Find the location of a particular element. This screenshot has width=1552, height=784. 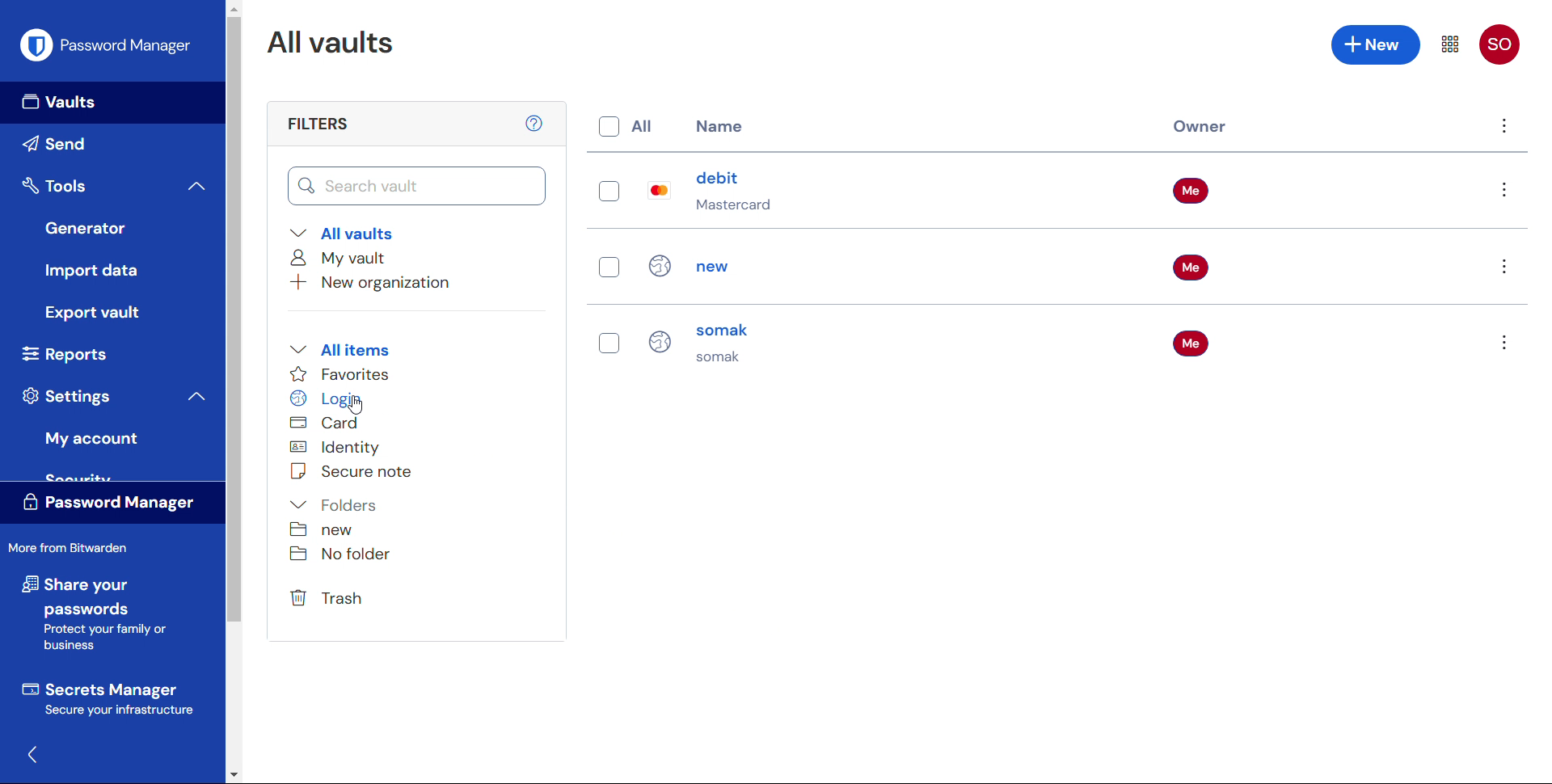

Secrets manager   secure your infrastructure. is located at coordinates (107, 702).